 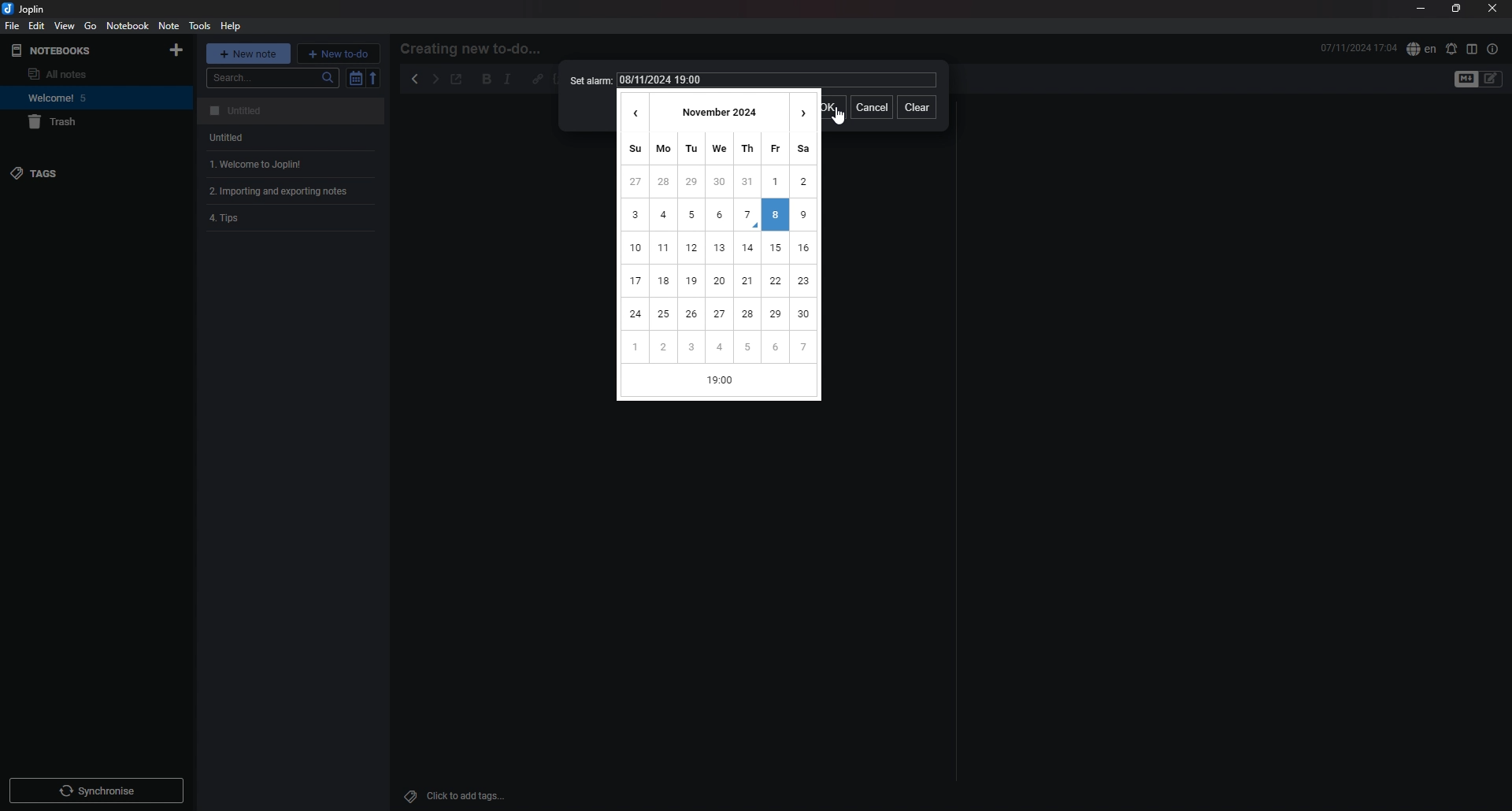 What do you see at coordinates (1421, 50) in the screenshot?
I see `spell check` at bounding box center [1421, 50].